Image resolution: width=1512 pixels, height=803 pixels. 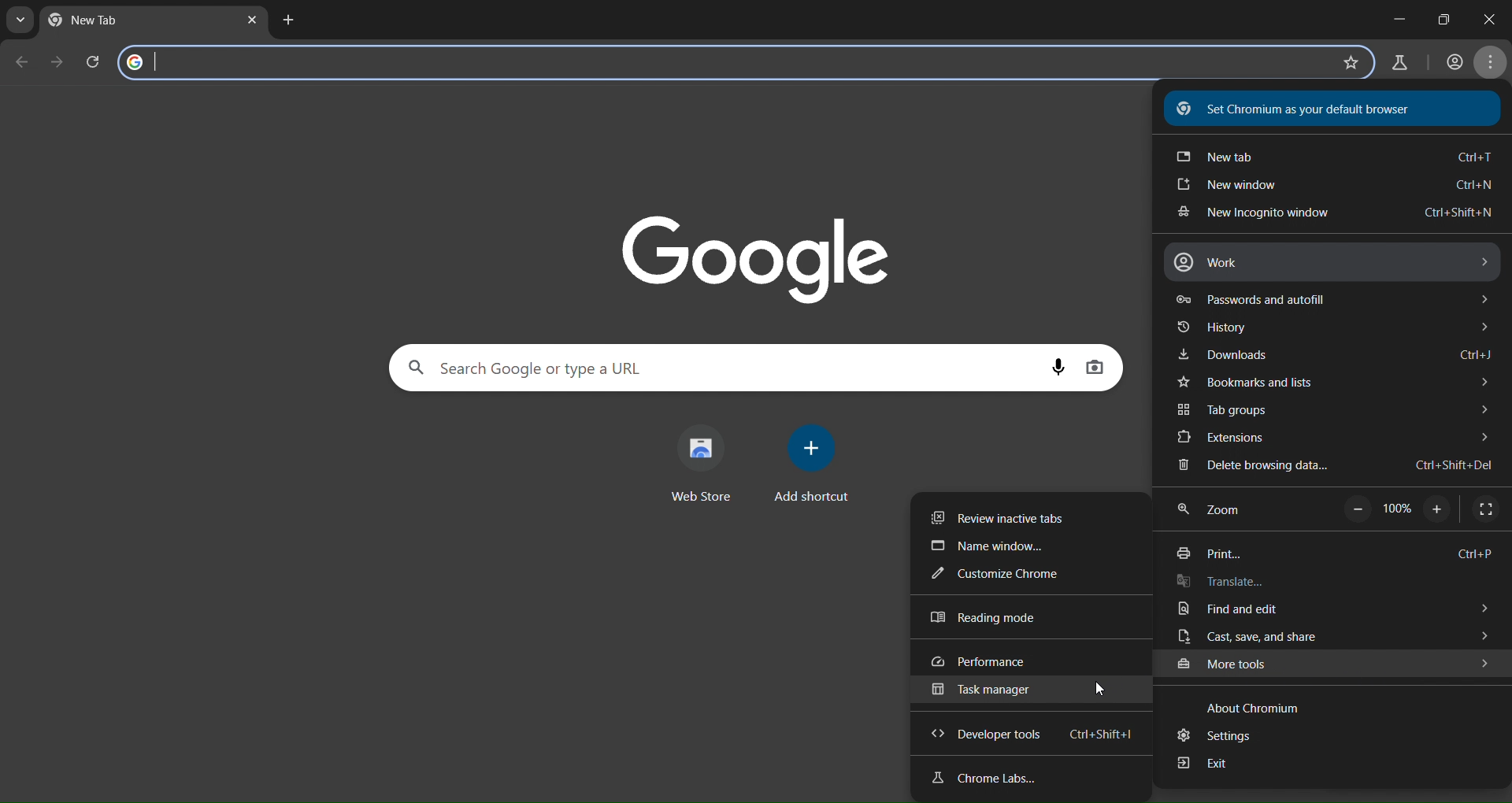 I want to click on new tab, so click(x=287, y=22).